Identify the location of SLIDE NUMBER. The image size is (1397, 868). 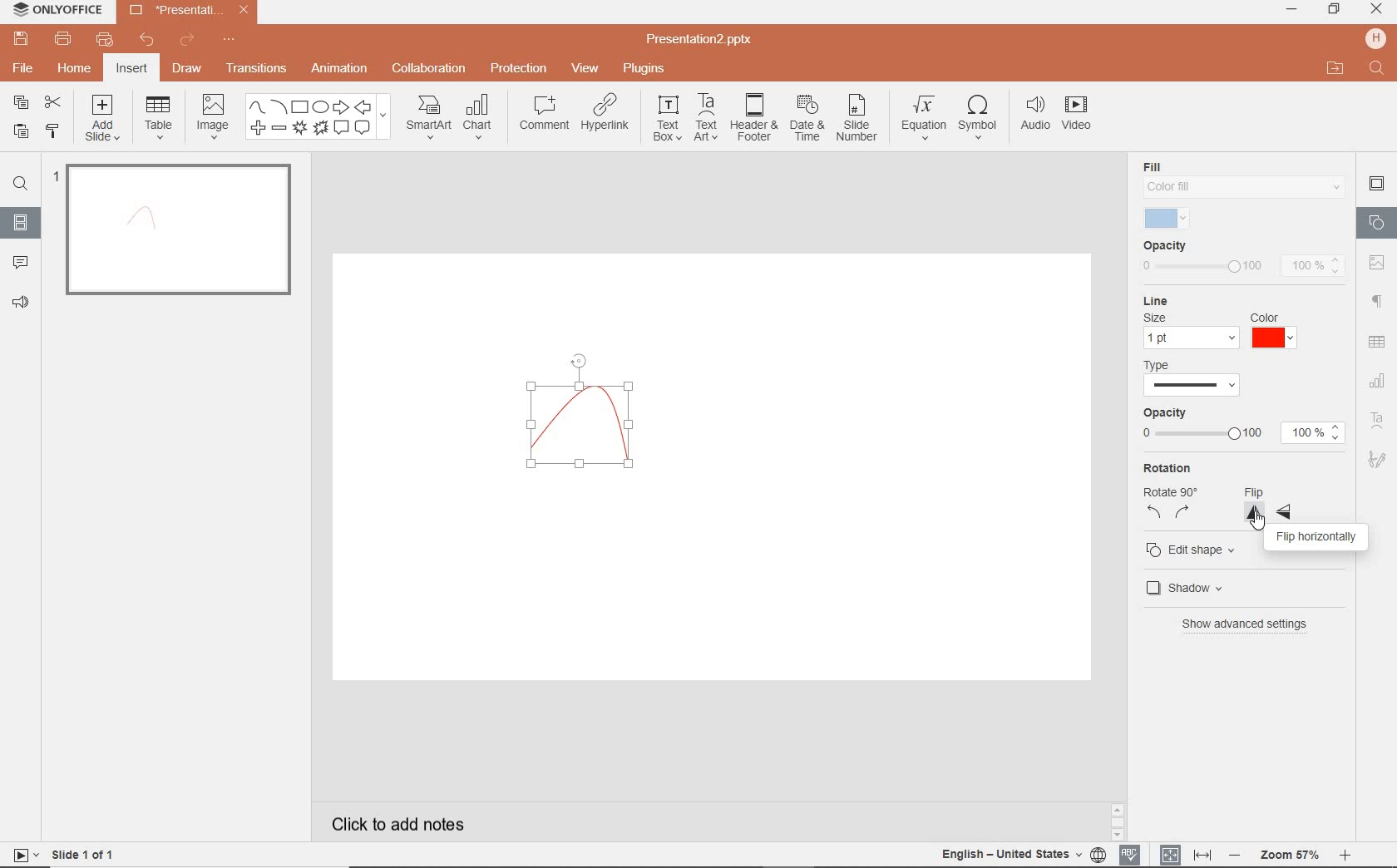
(857, 122).